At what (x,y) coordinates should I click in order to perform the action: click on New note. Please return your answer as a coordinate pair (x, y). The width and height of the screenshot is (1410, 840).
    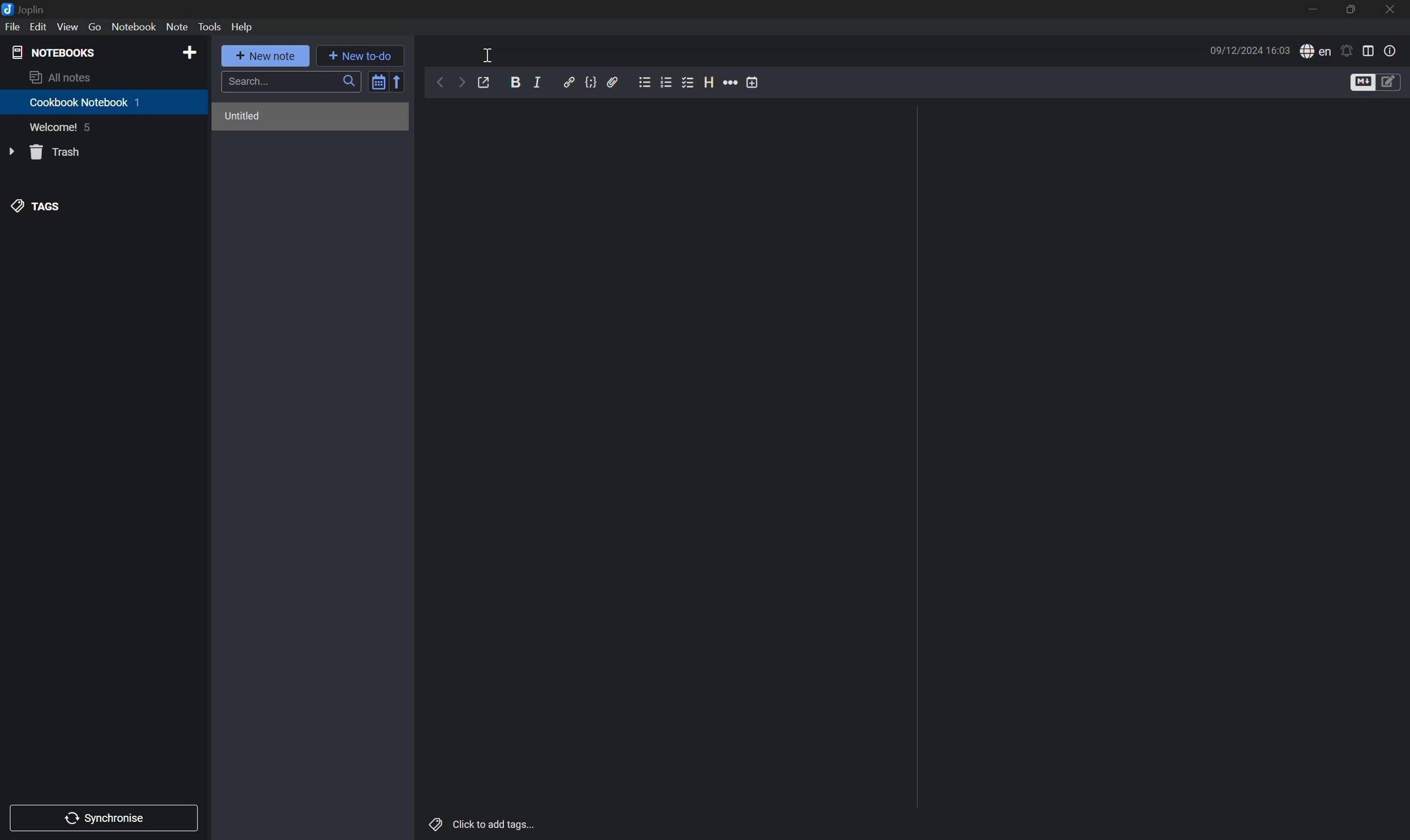
    Looking at the image, I should click on (266, 54).